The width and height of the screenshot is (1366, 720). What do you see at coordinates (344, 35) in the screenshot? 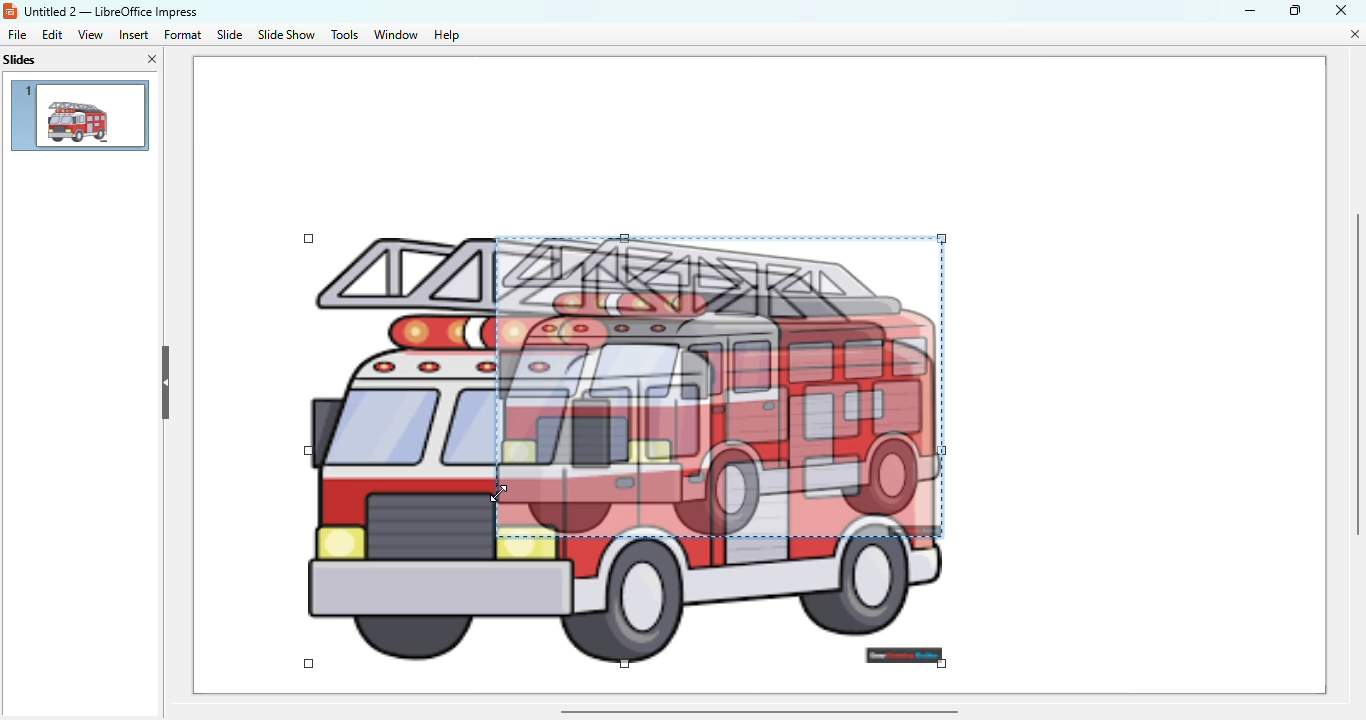
I see `tools` at bounding box center [344, 35].